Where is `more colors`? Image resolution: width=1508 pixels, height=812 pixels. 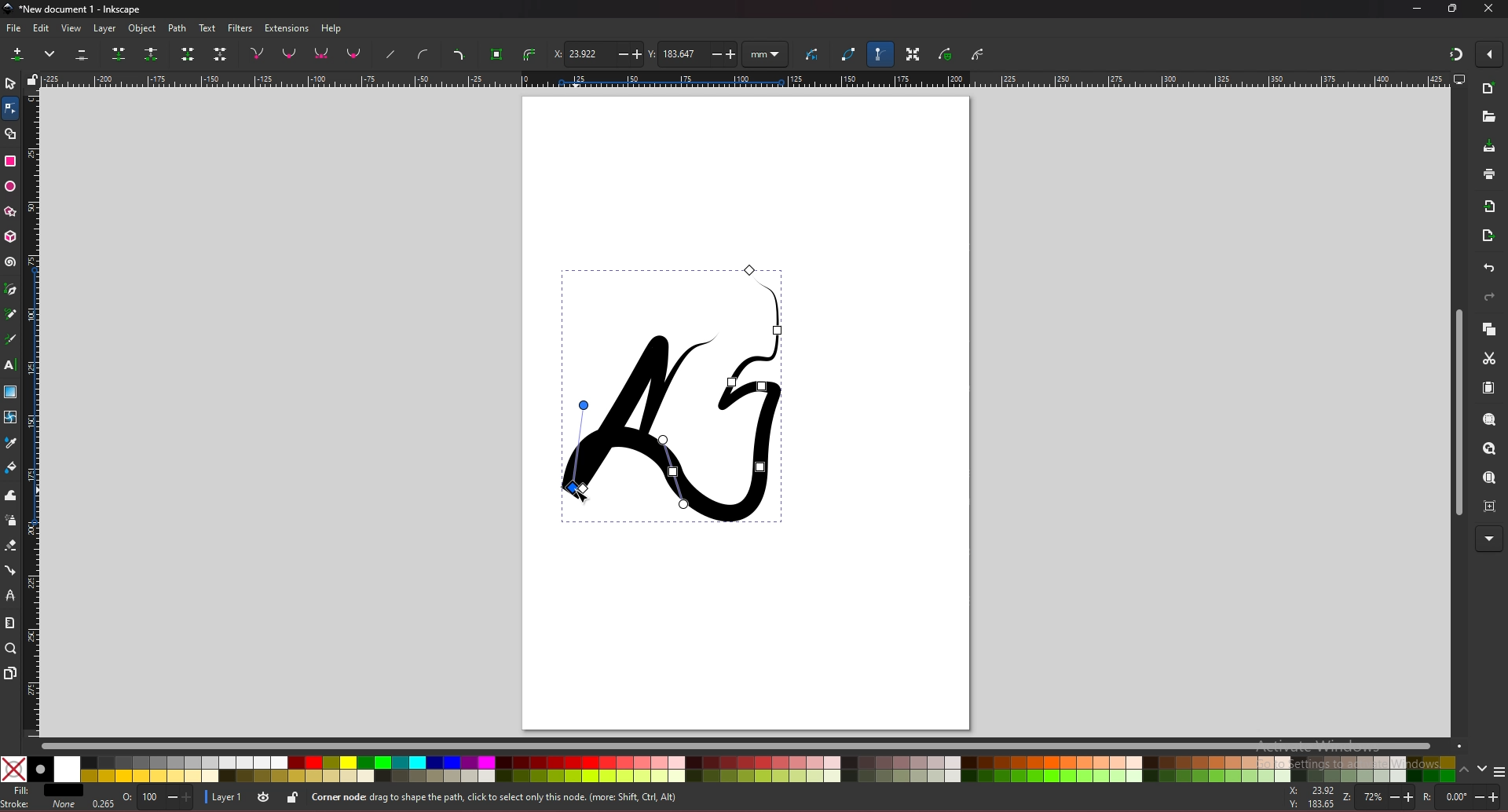
more colors is located at coordinates (1499, 770).